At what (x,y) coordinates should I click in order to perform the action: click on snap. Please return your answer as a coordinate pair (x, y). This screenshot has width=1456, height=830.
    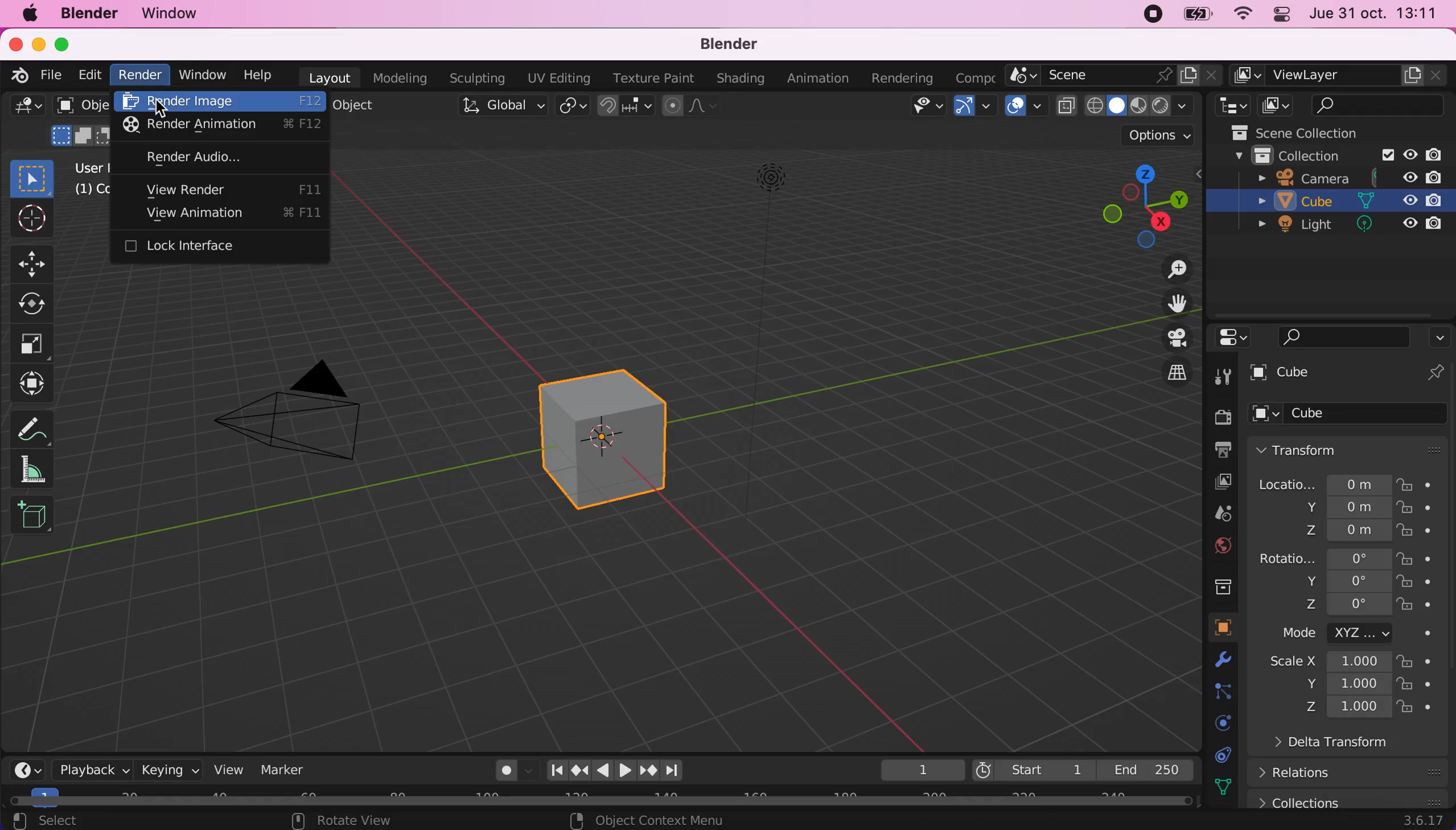
    Looking at the image, I should click on (626, 110).